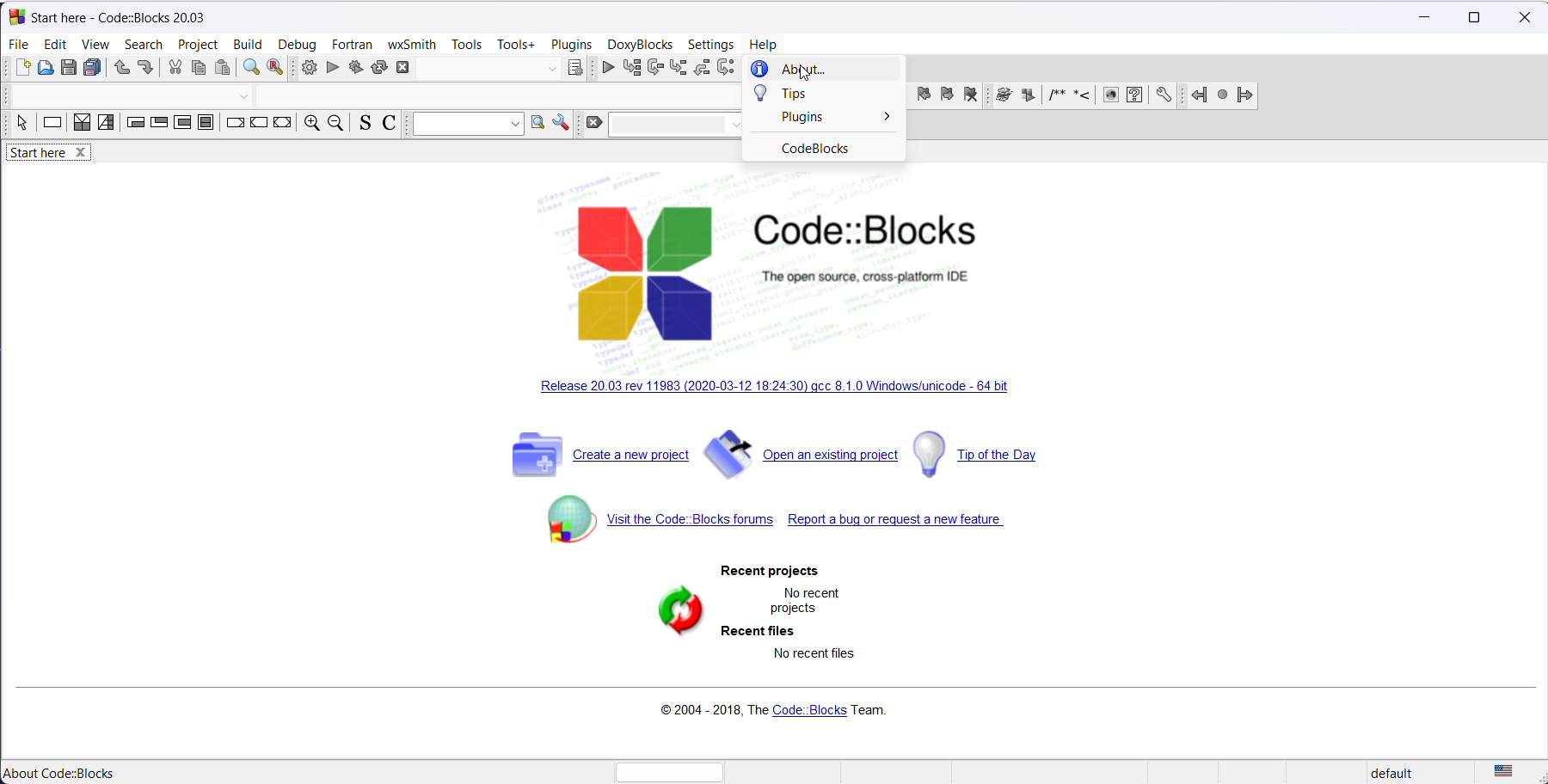 The width and height of the screenshot is (1548, 784). What do you see at coordinates (802, 457) in the screenshot?
I see `open existing project` at bounding box center [802, 457].